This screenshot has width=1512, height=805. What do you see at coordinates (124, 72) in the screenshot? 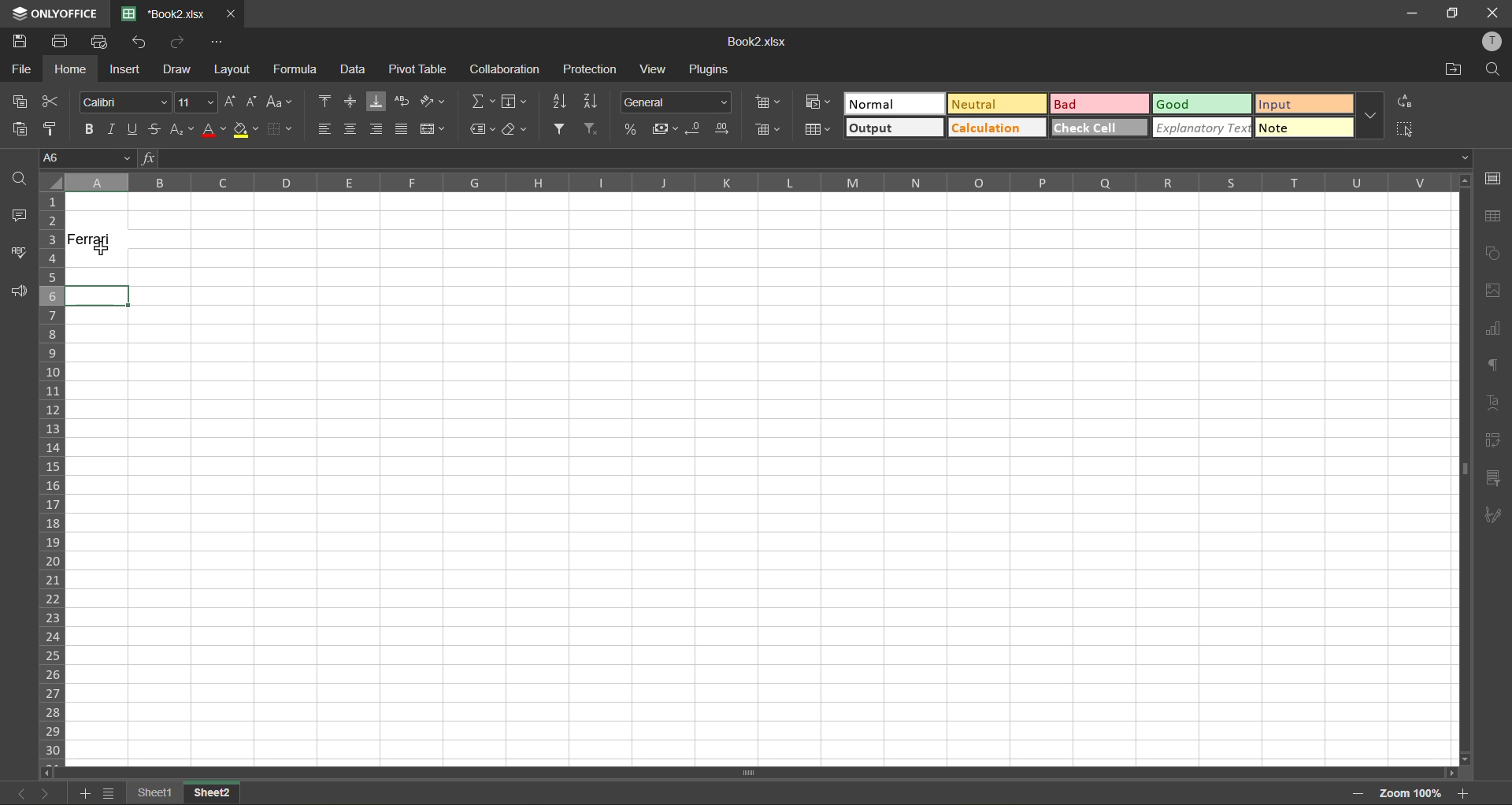
I see `insert` at bounding box center [124, 72].